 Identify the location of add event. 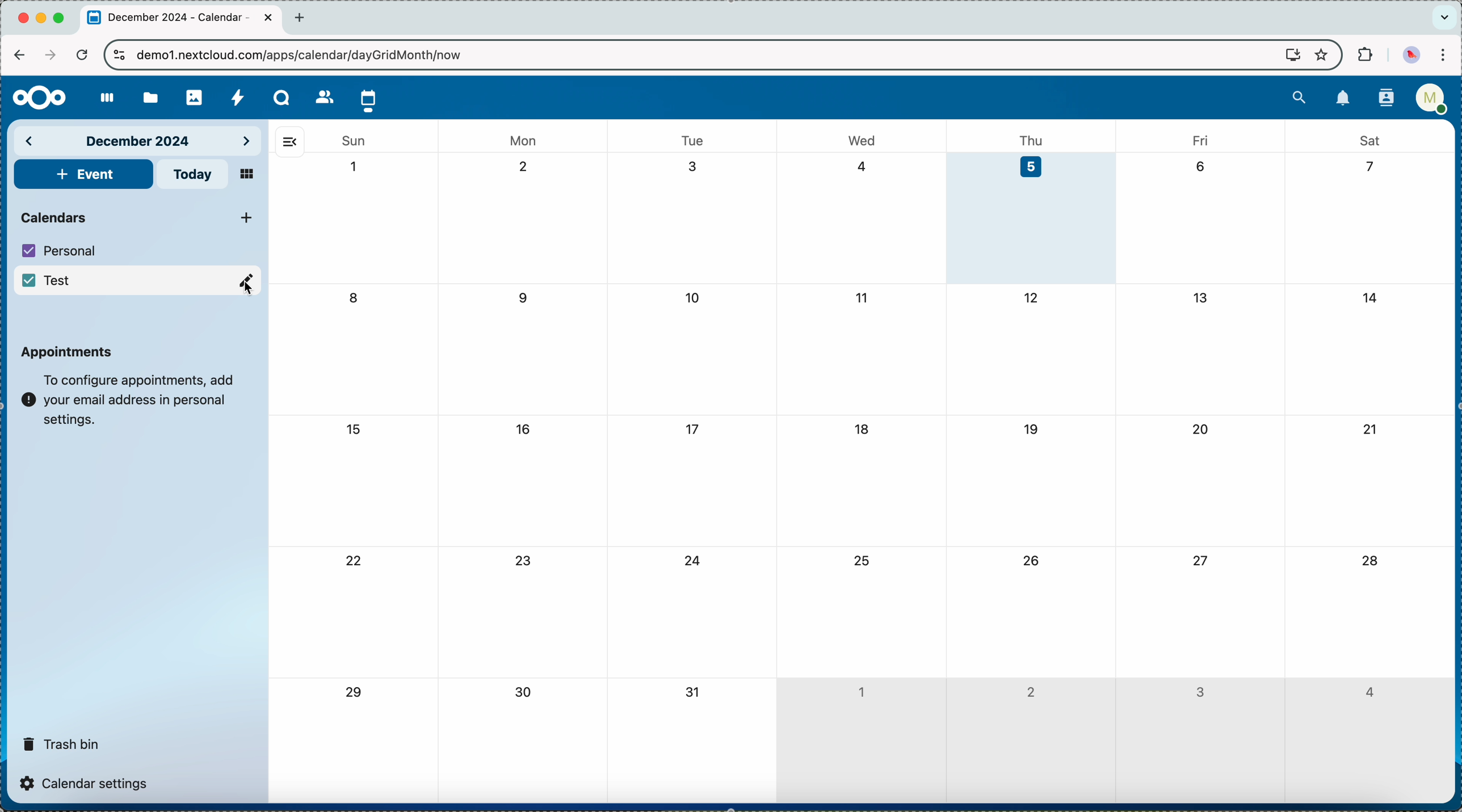
(83, 174).